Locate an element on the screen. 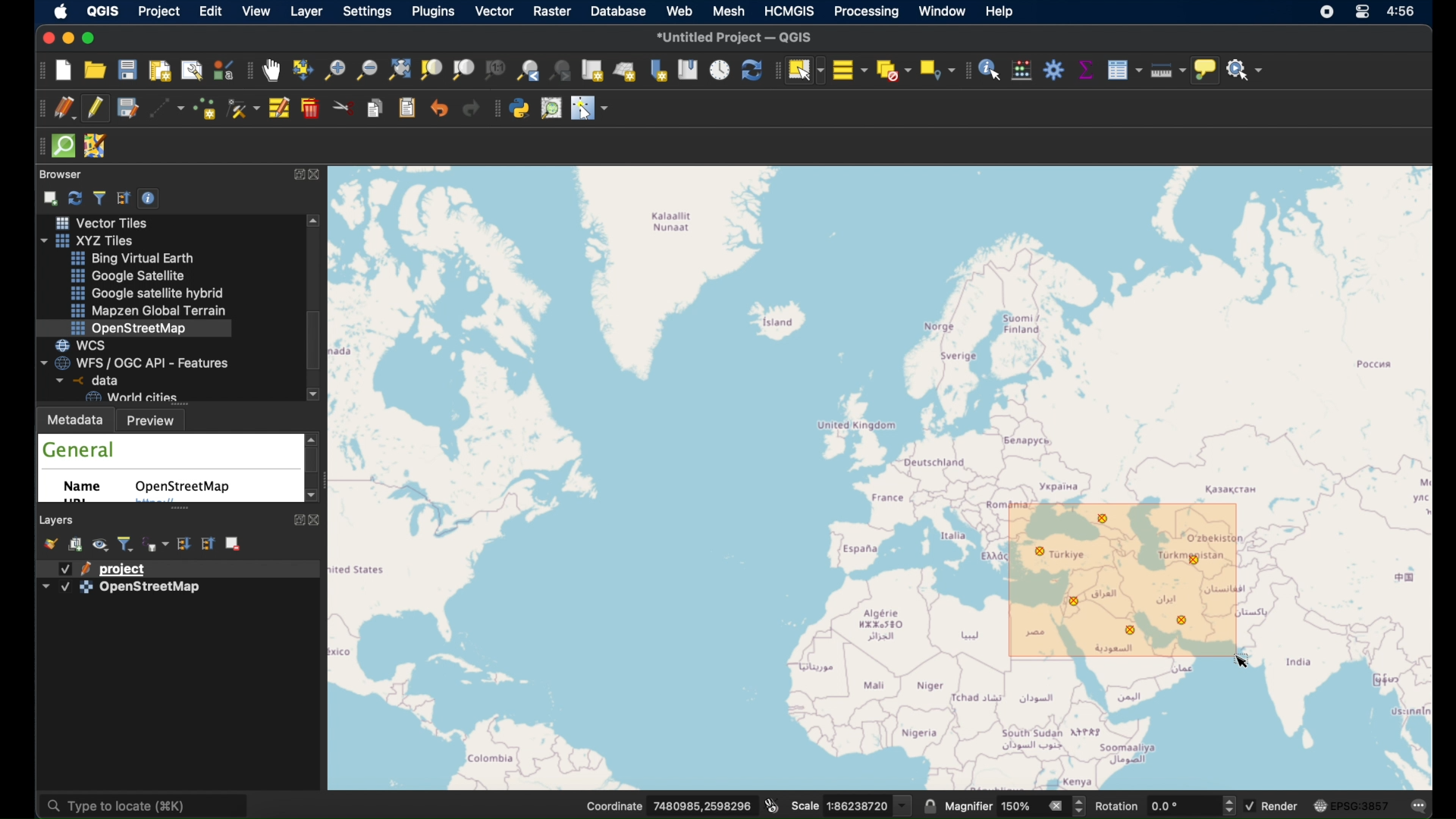  cursor is located at coordinates (1245, 661).